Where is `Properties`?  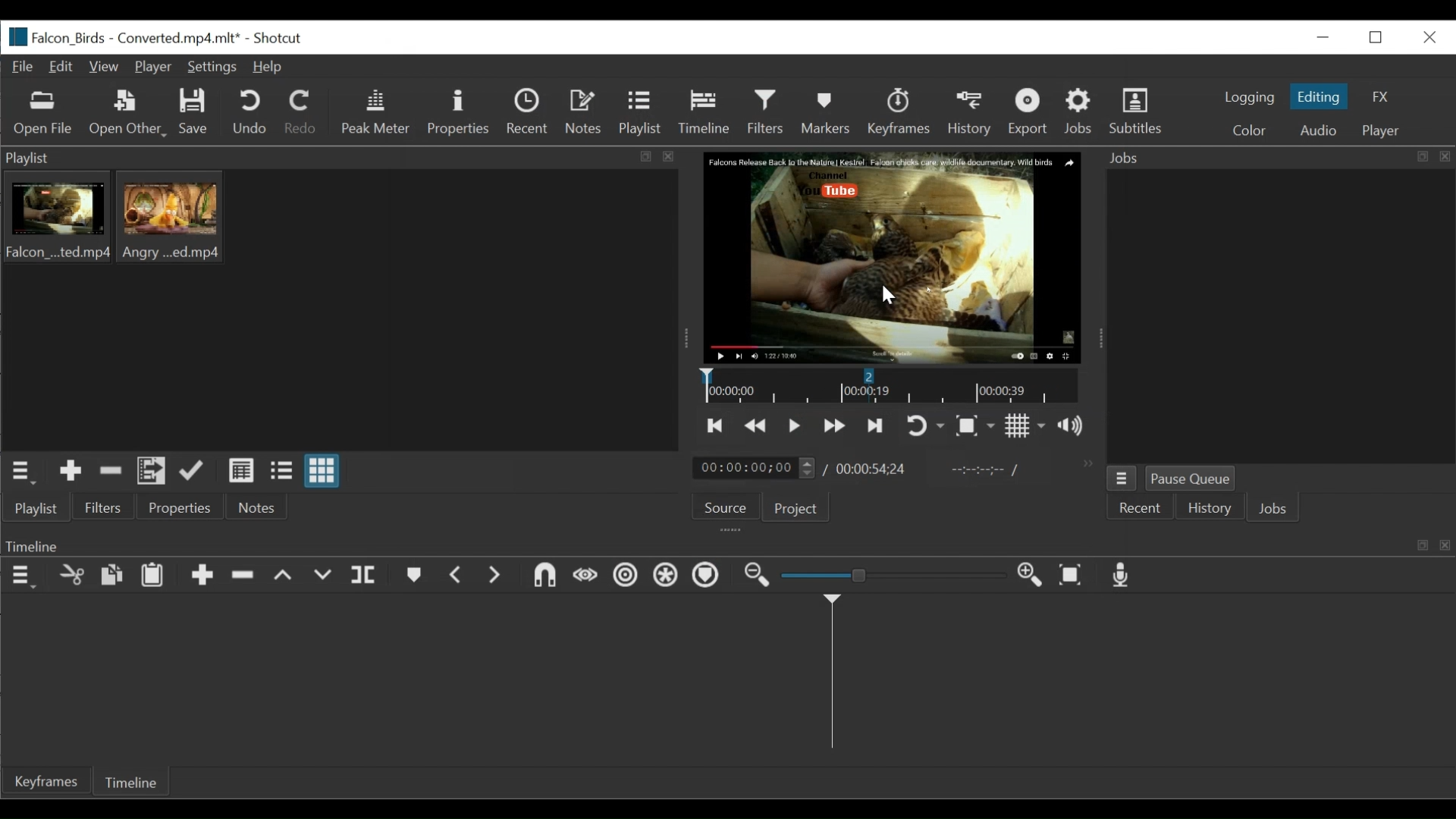
Properties is located at coordinates (458, 113).